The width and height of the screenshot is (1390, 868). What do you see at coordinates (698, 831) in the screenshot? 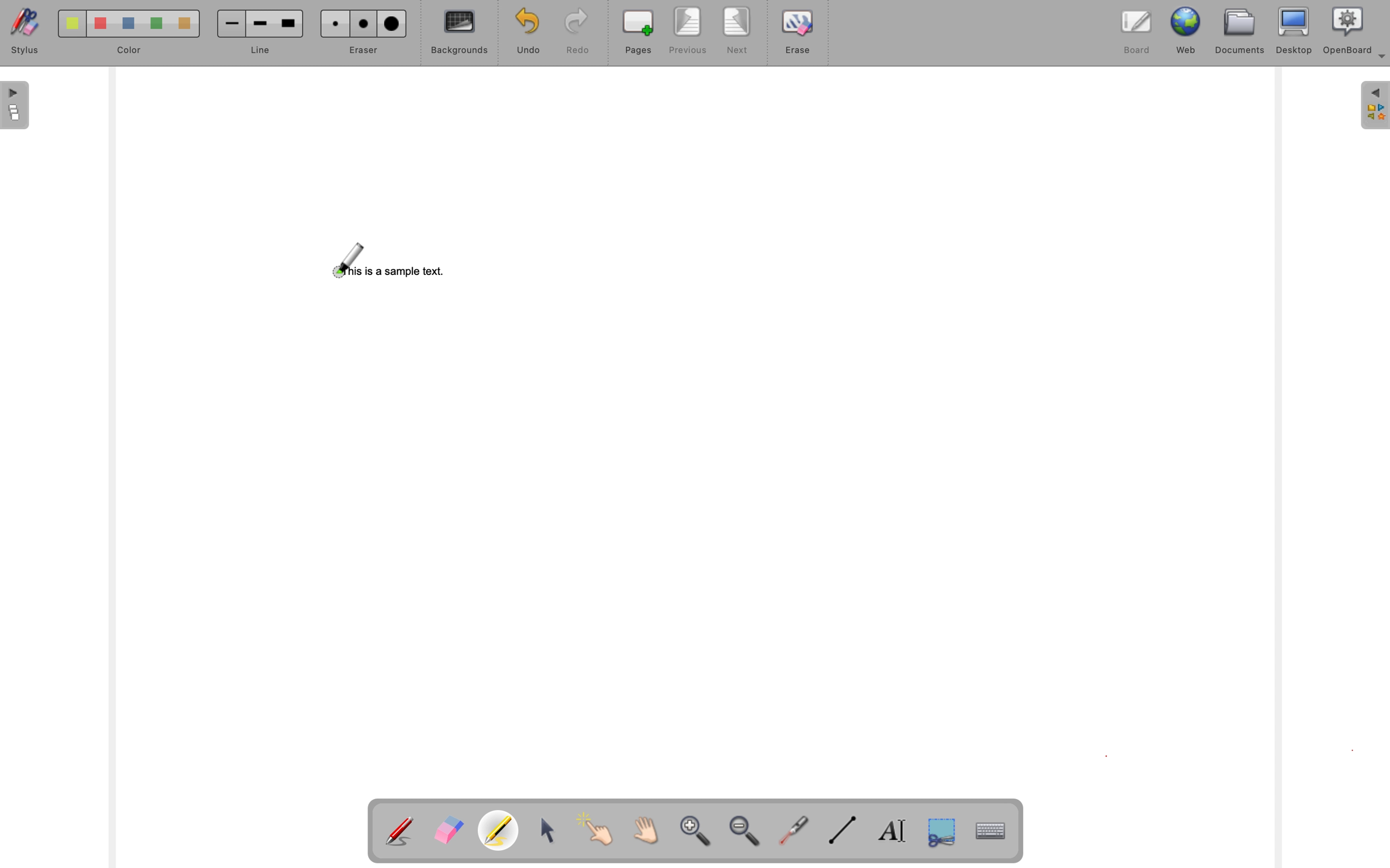
I see `zoom in` at bounding box center [698, 831].